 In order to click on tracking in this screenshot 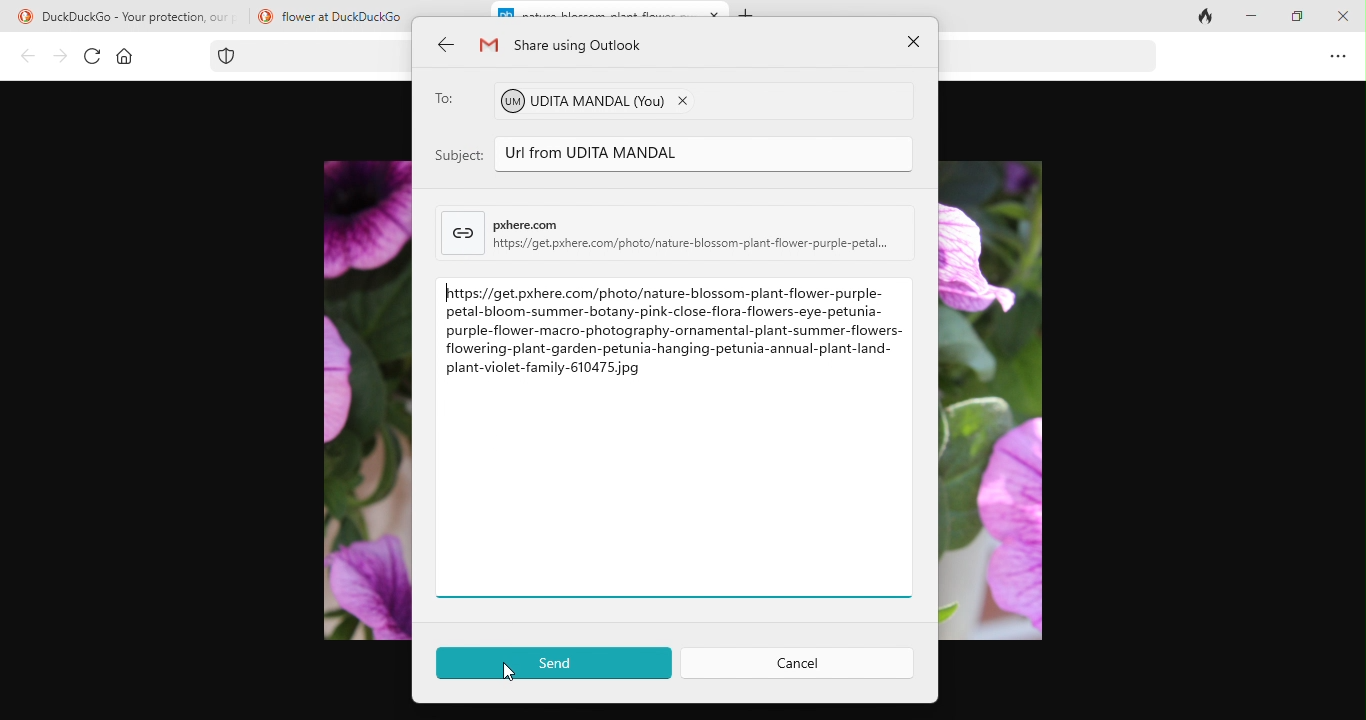, I will do `click(231, 56)`.